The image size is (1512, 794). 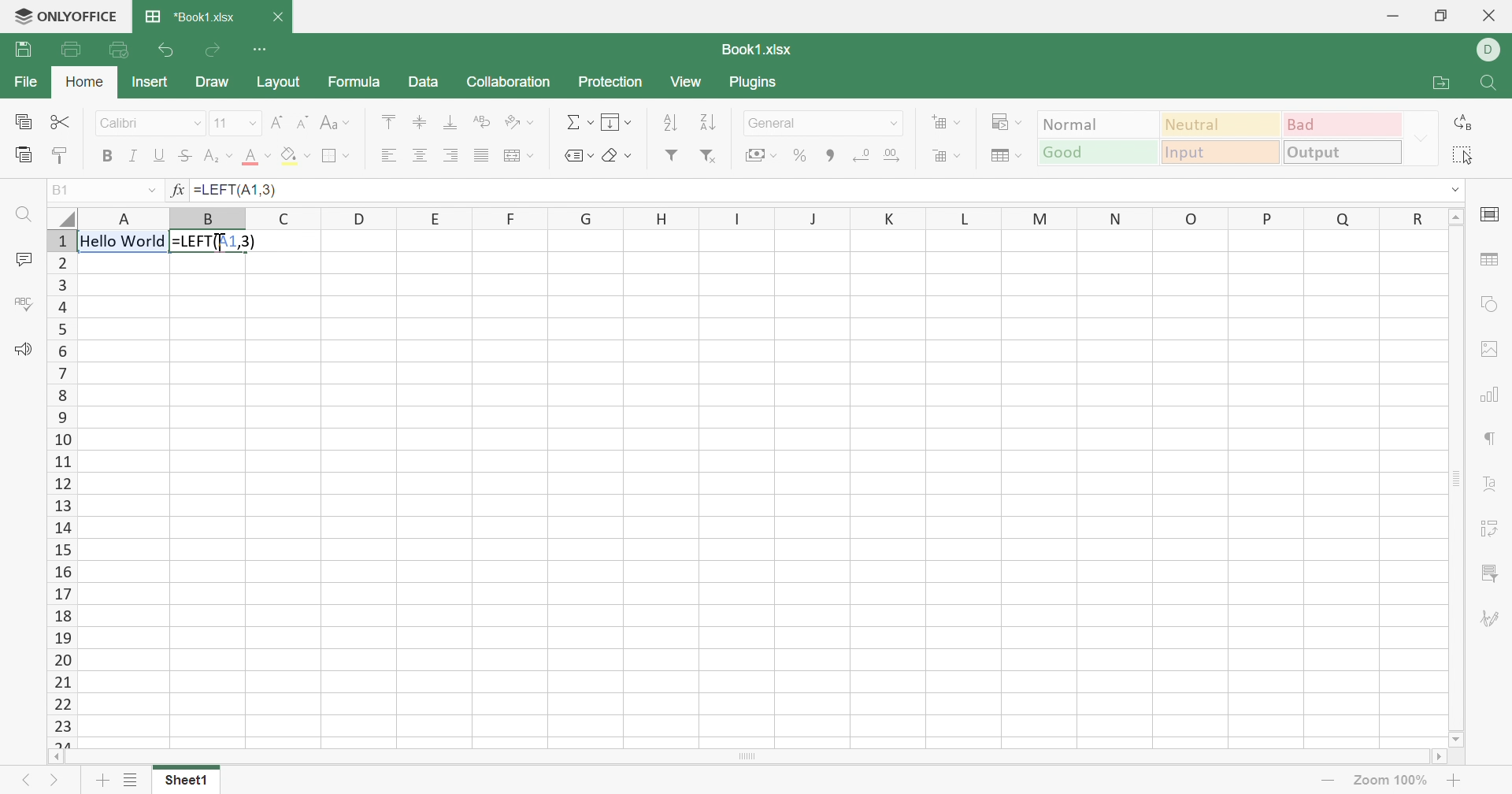 What do you see at coordinates (708, 122) in the screenshot?
I see `Sort descending` at bounding box center [708, 122].